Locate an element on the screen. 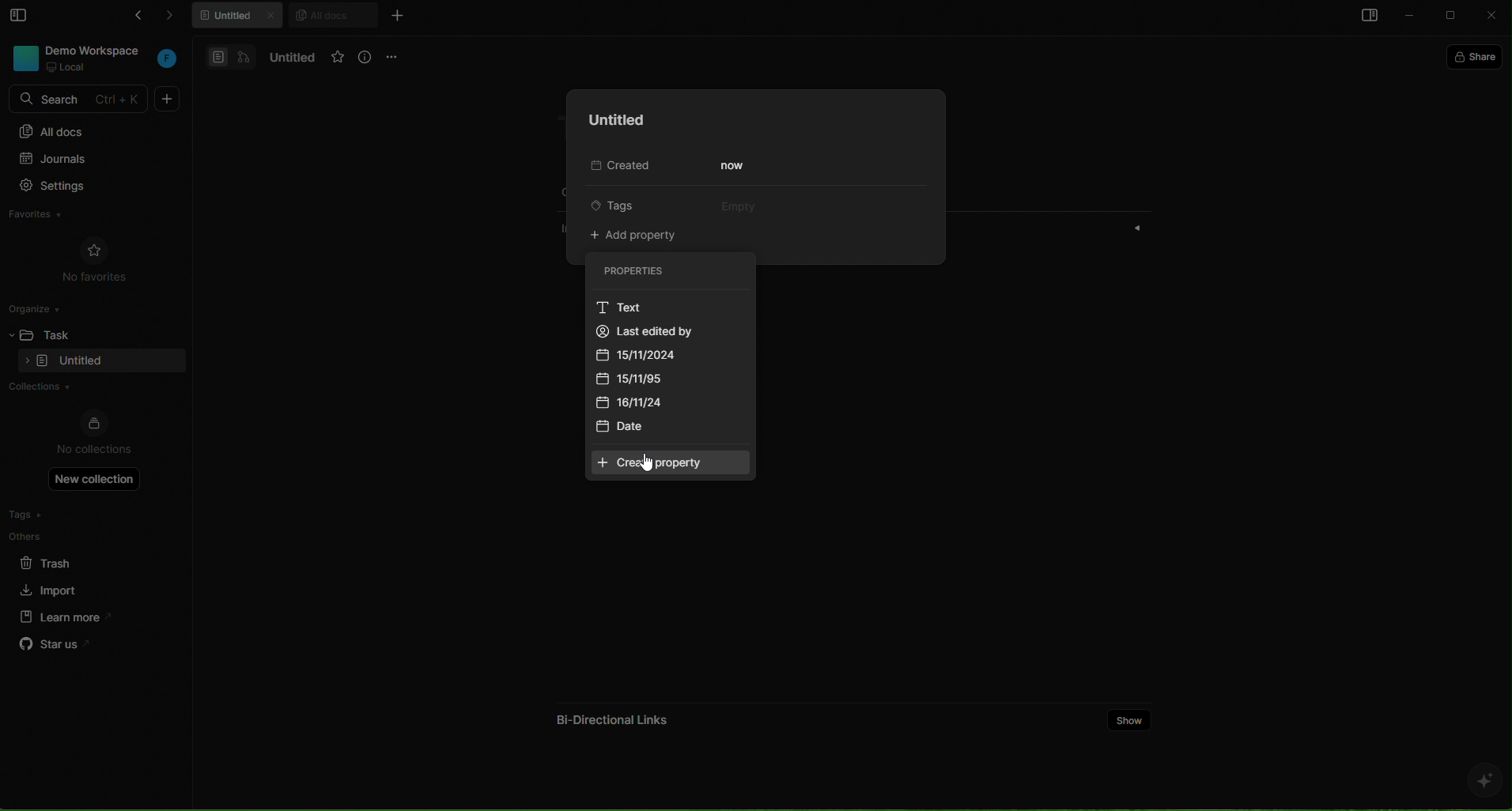 The width and height of the screenshot is (1512, 811). now is located at coordinates (735, 166).